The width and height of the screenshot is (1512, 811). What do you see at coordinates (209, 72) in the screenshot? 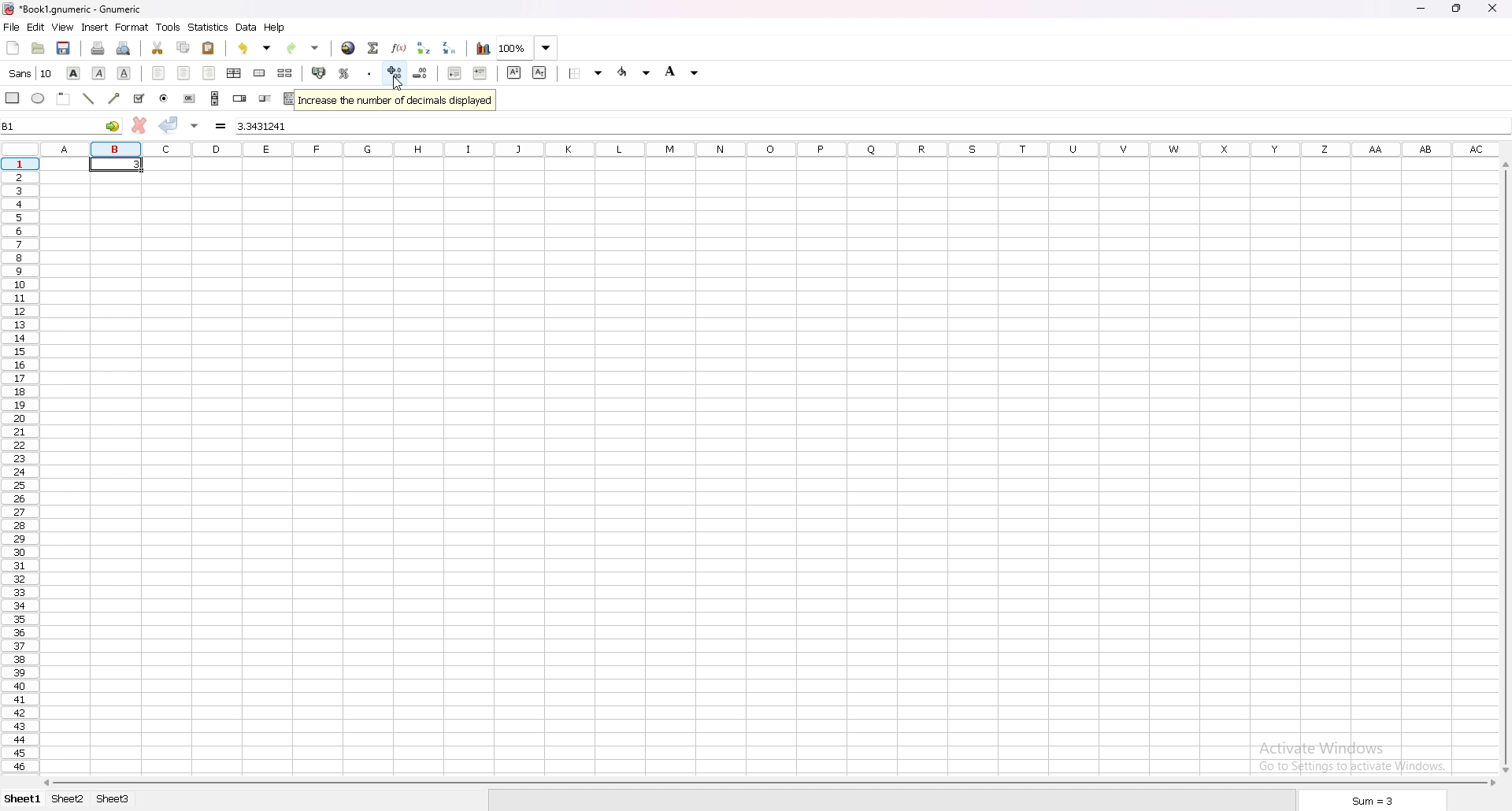
I see `right indent` at bounding box center [209, 72].